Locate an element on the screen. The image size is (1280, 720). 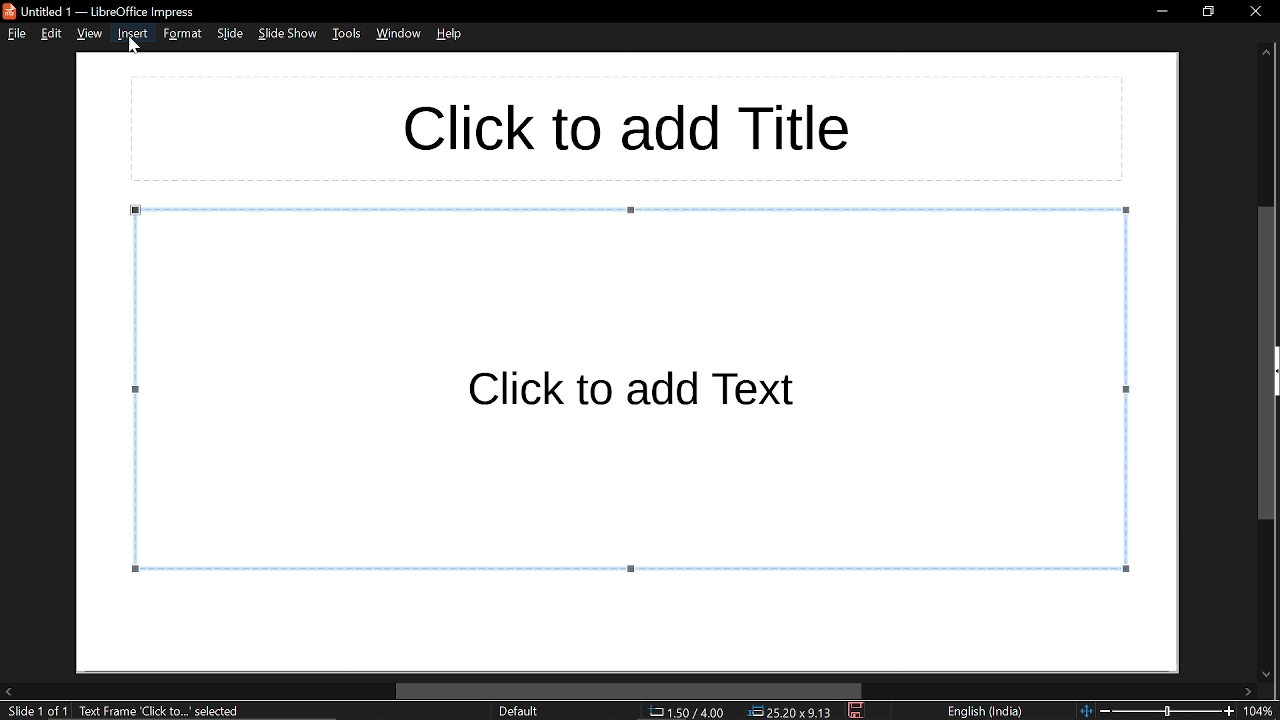
restore down is located at coordinates (1206, 13).